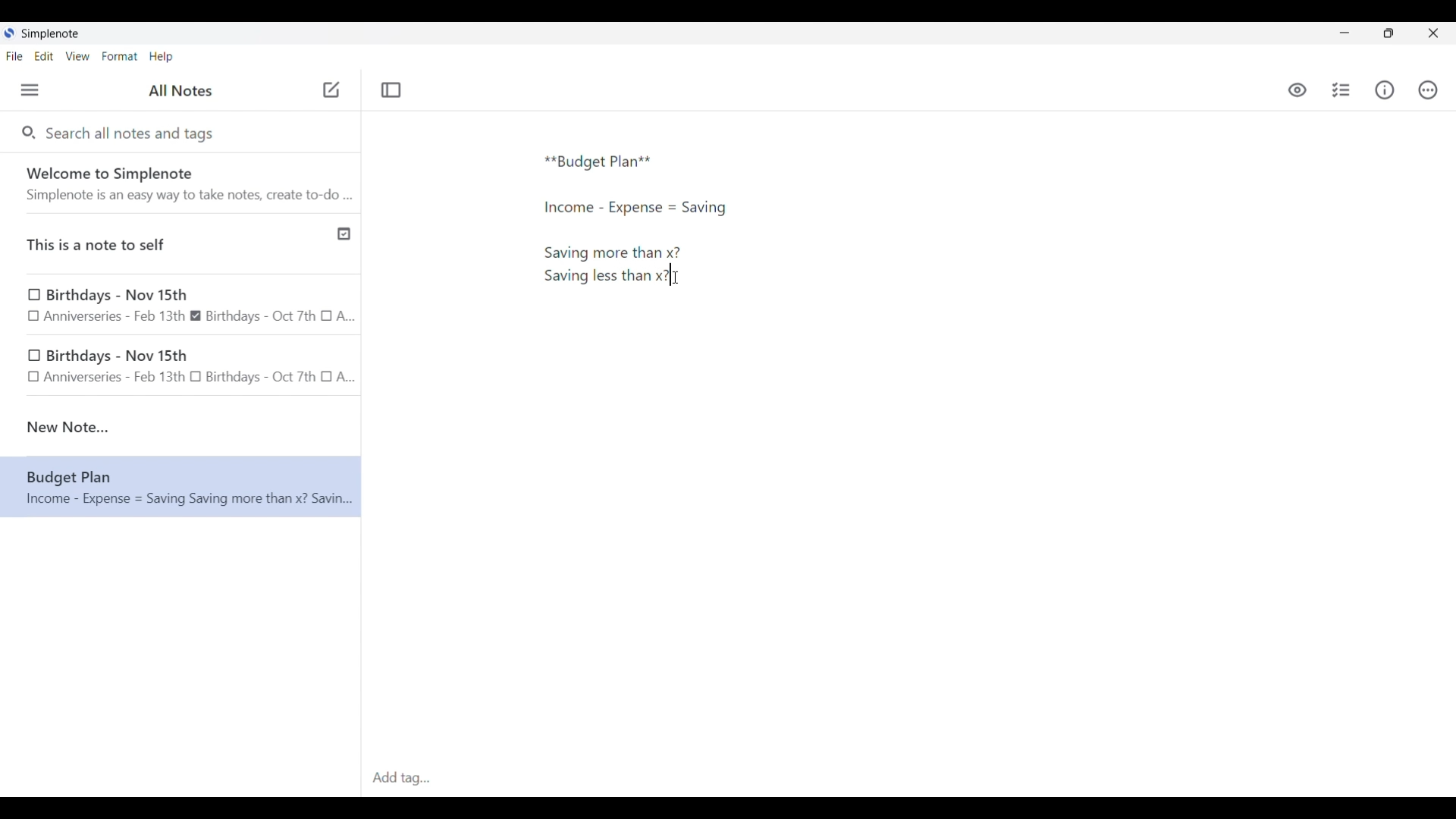  What do you see at coordinates (184, 183) in the screenshot?
I see `Software welcome note` at bounding box center [184, 183].